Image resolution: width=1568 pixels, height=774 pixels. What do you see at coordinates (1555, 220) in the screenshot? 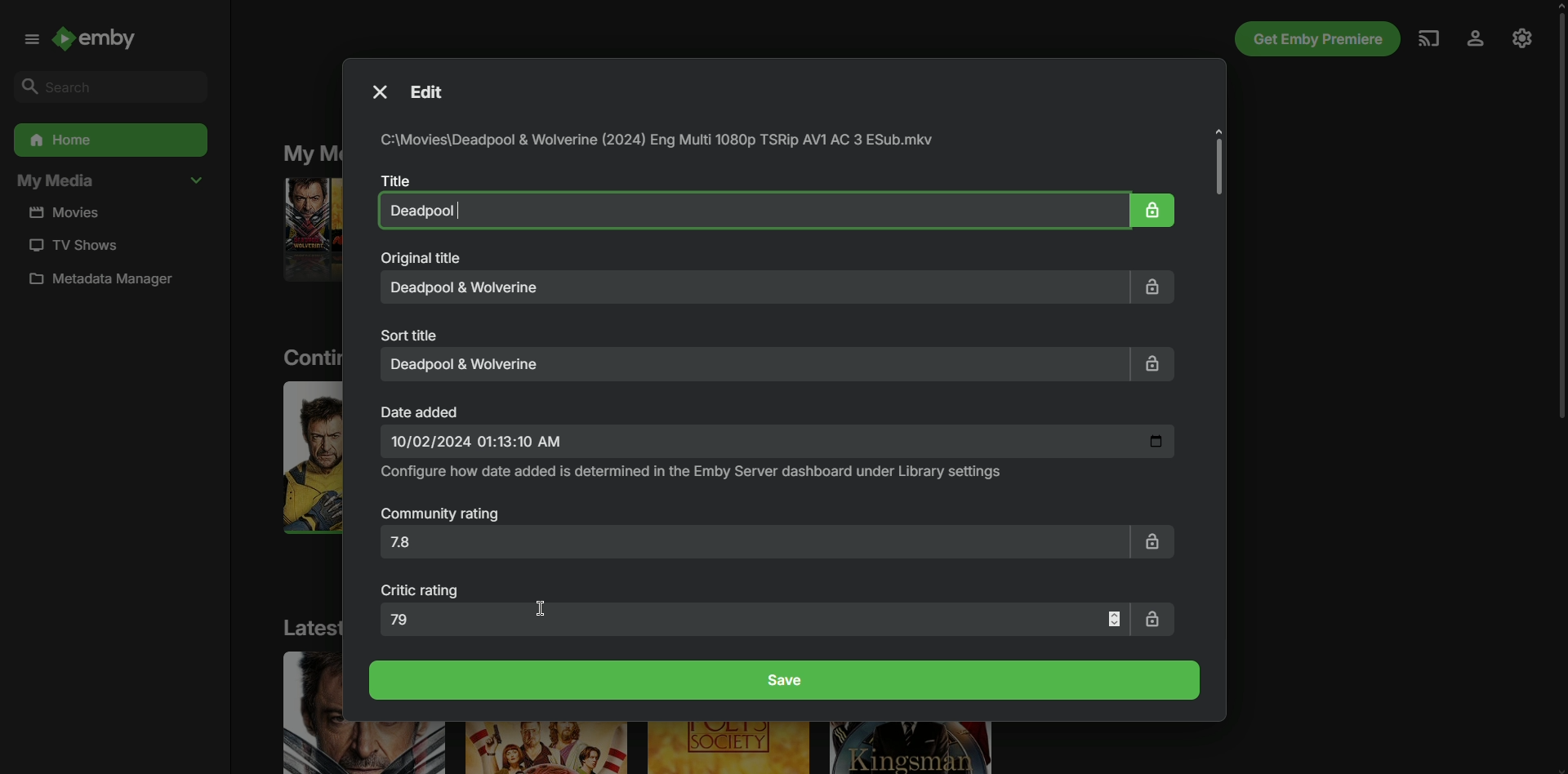
I see `Scroll` at bounding box center [1555, 220].